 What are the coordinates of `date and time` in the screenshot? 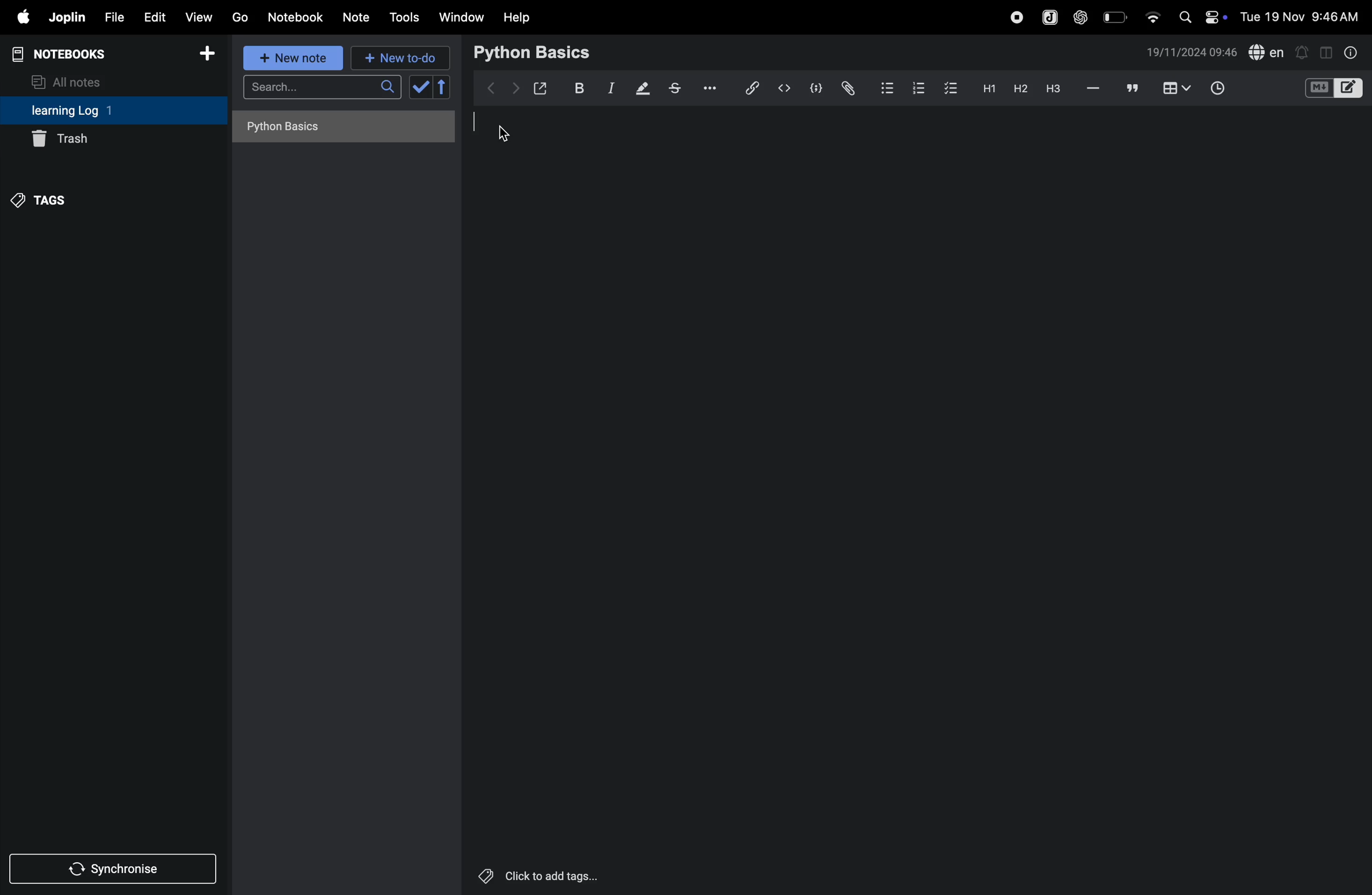 It's located at (1303, 16).